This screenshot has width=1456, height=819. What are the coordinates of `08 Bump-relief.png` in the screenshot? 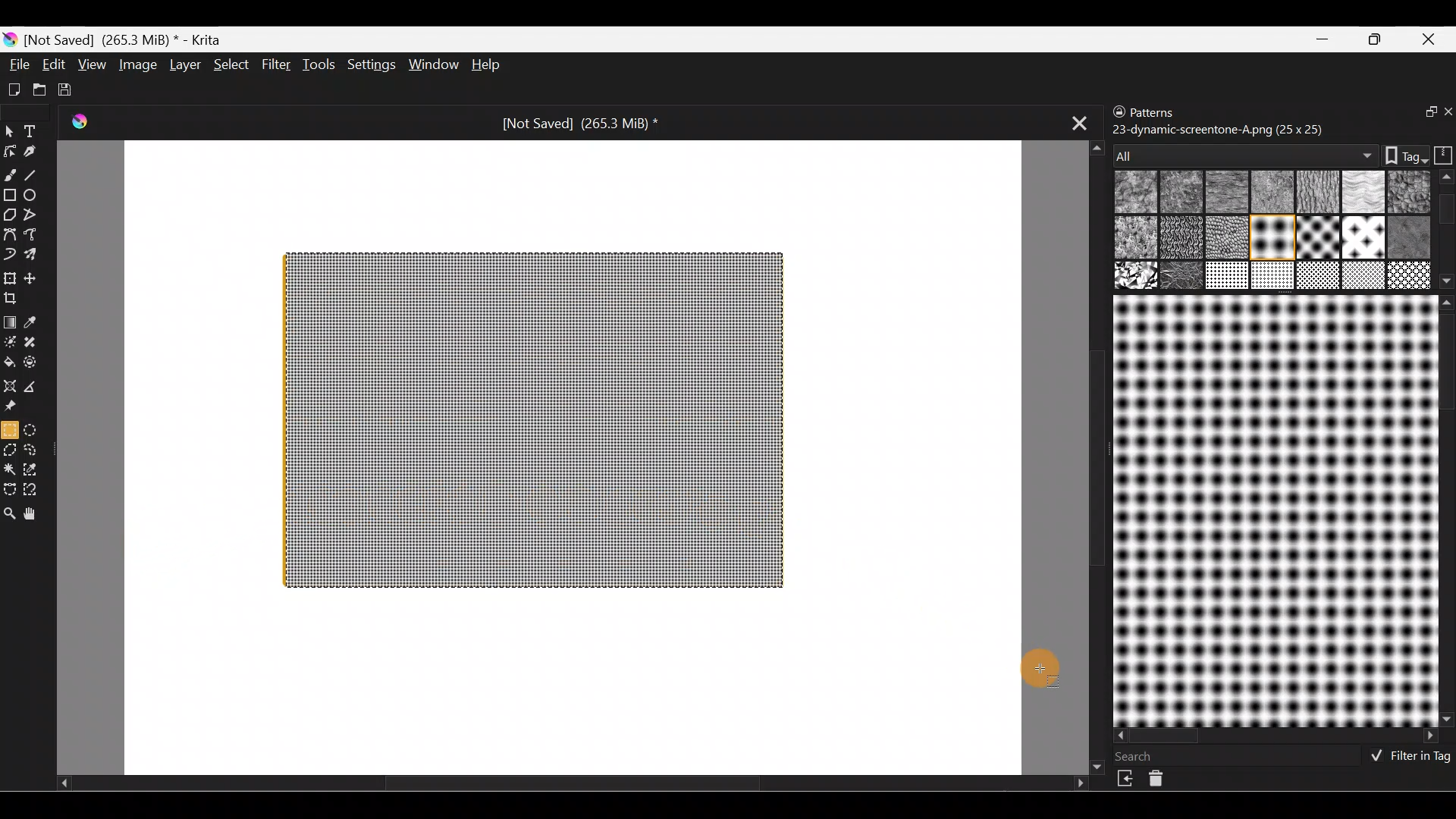 It's located at (1139, 239).